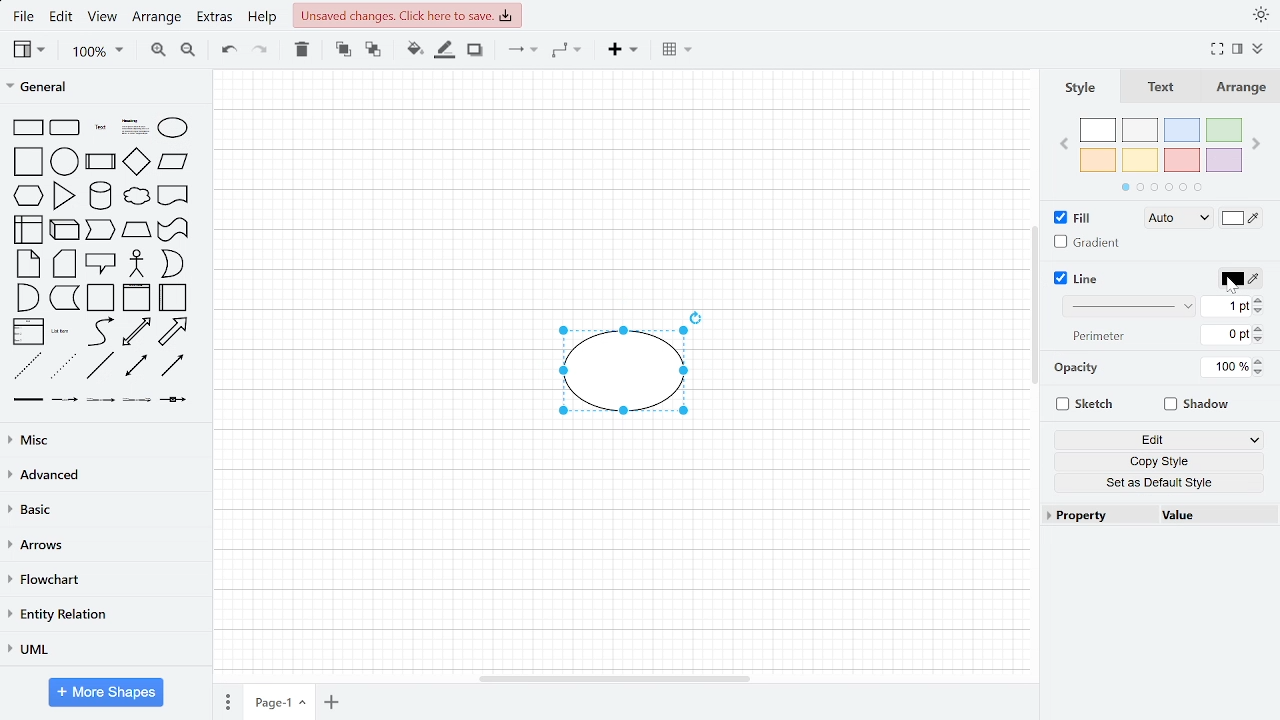  I want to click on Current line perimeter, so click(1222, 334).